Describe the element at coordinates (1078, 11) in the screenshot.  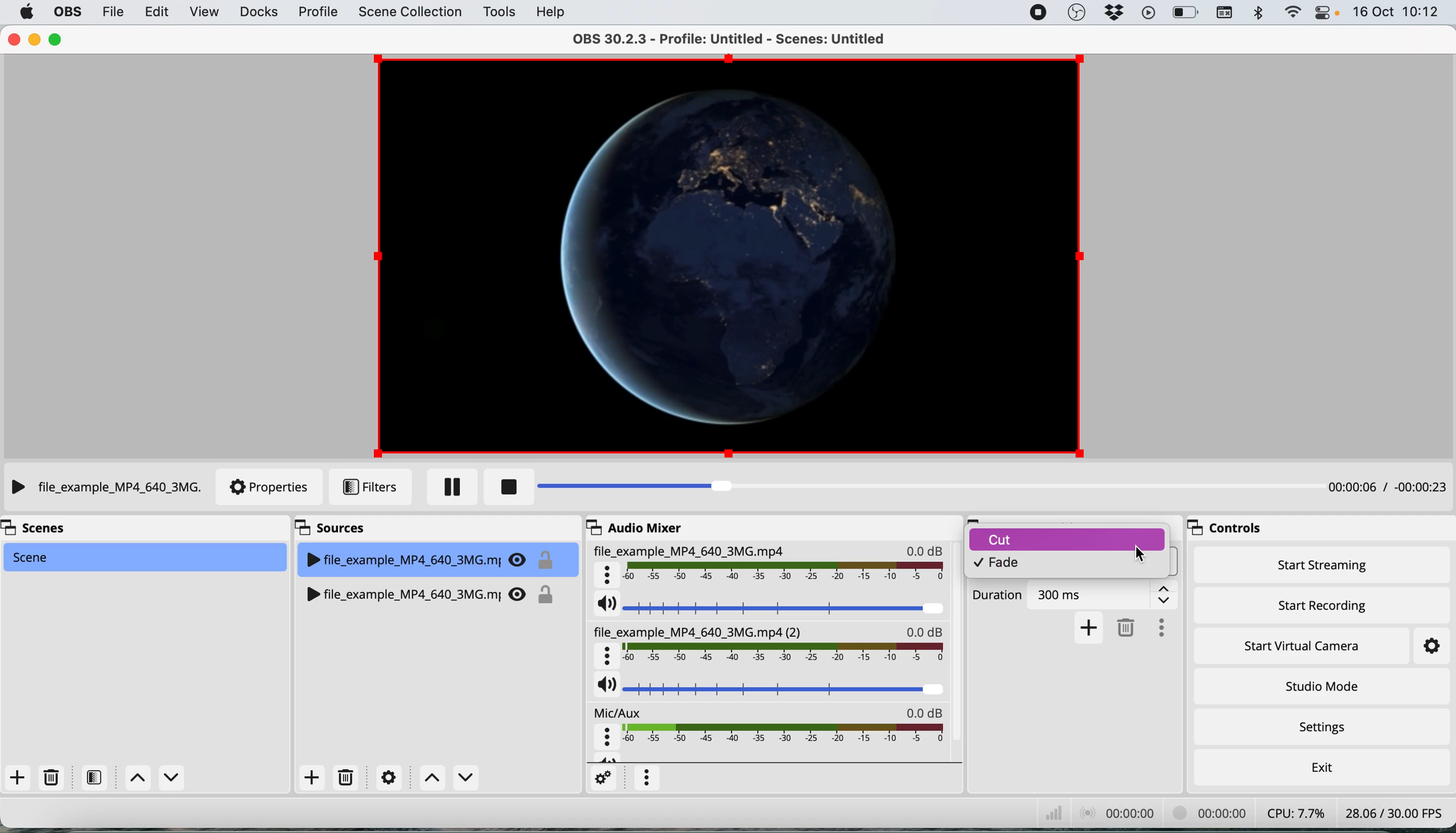
I see `obs` at that location.